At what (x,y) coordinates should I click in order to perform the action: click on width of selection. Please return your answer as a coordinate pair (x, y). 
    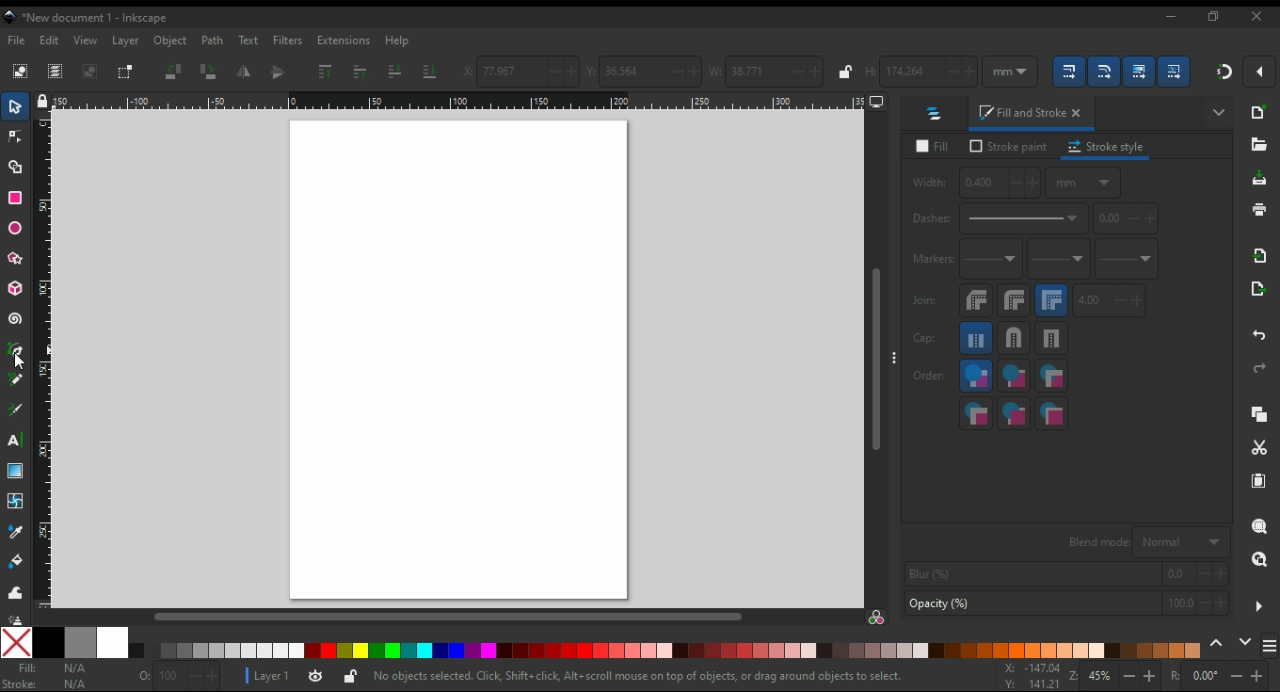
    Looking at the image, I should click on (768, 70).